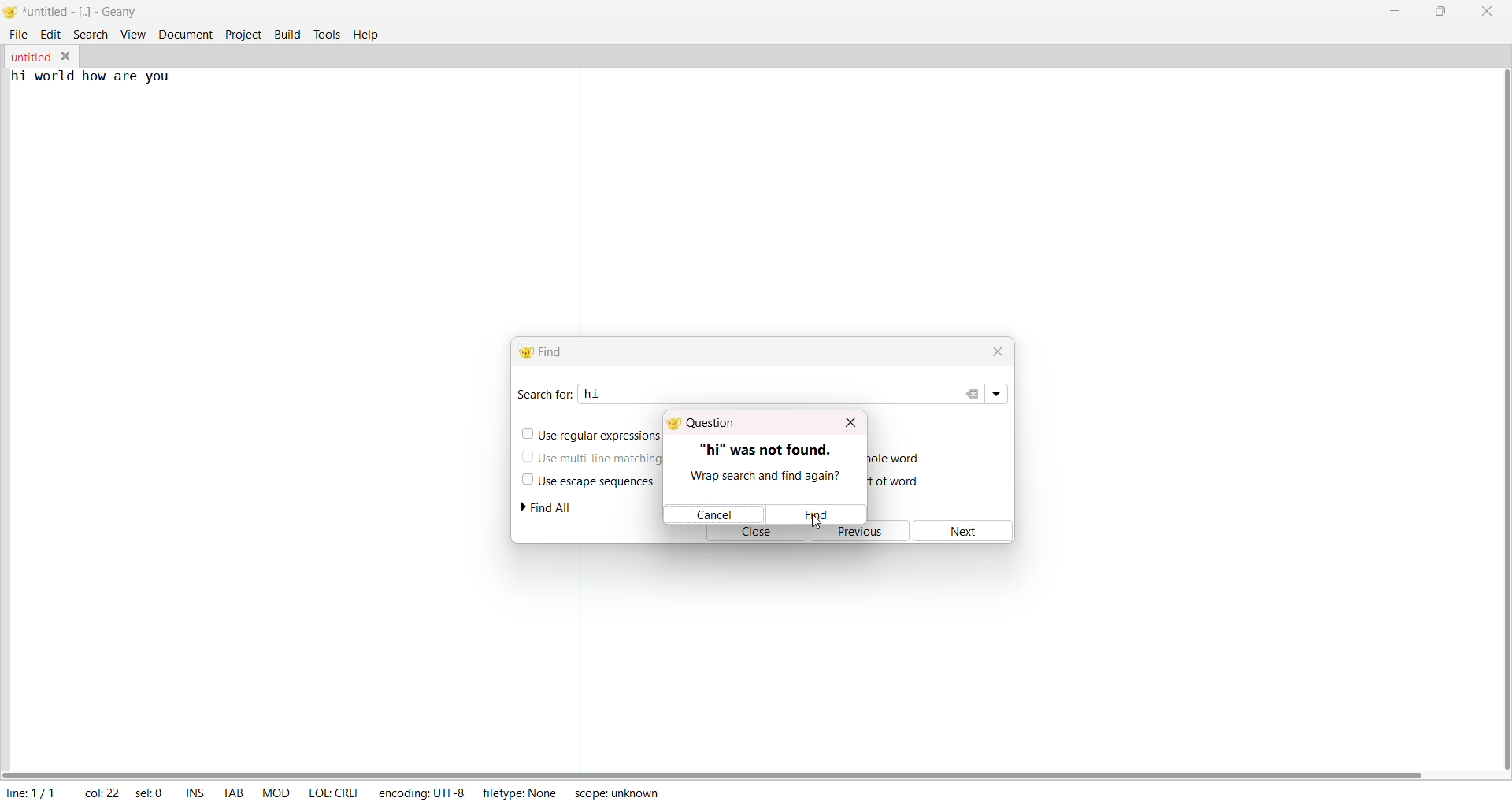  I want to click on close, so click(748, 537).